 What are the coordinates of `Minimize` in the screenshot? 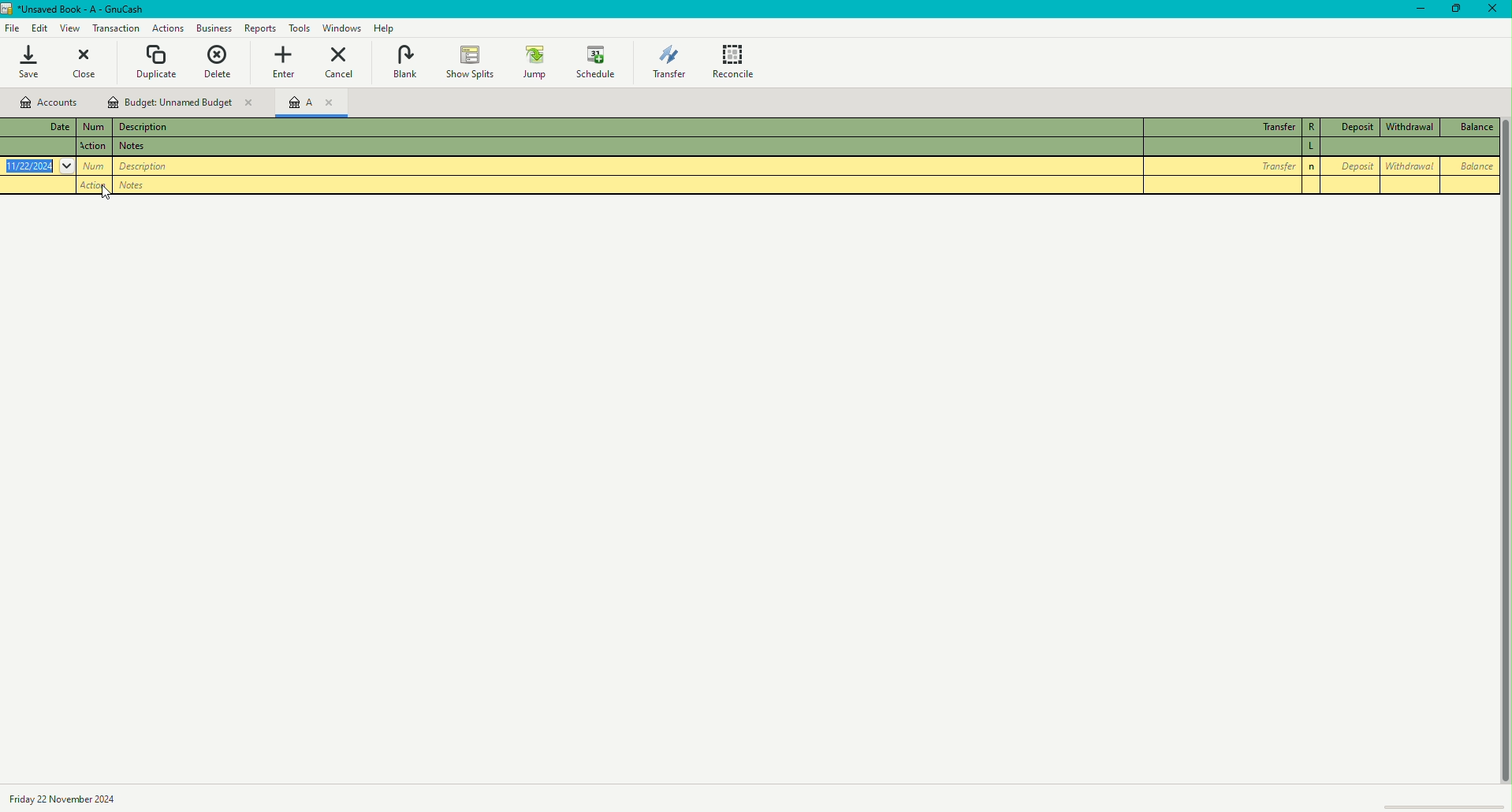 It's located at (1412, 13).